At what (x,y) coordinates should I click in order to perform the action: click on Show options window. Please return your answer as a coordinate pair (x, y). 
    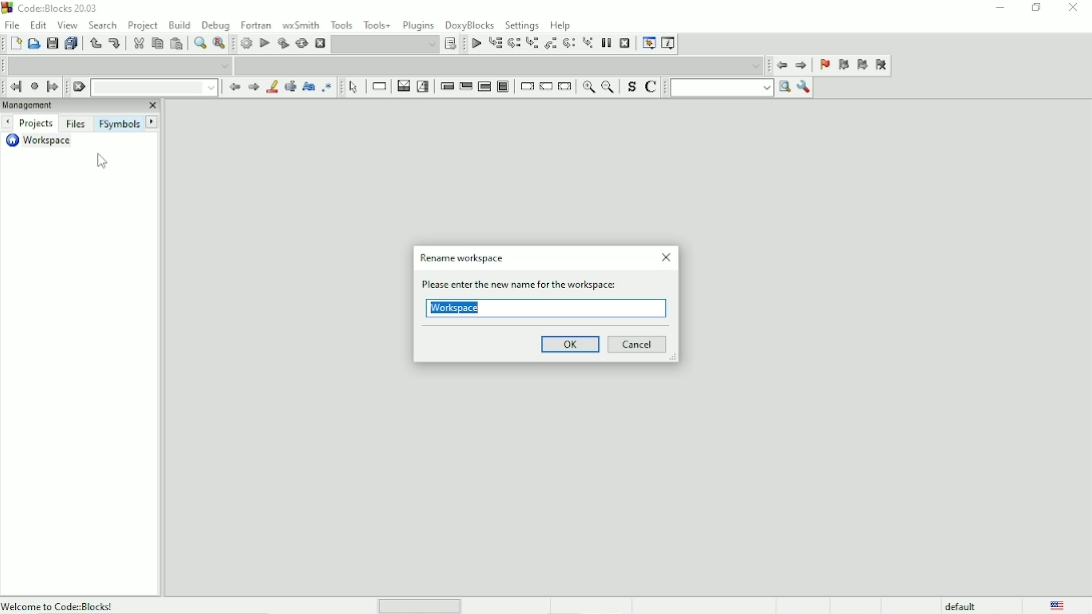
    Looking at the image, I should click on (803, 87).